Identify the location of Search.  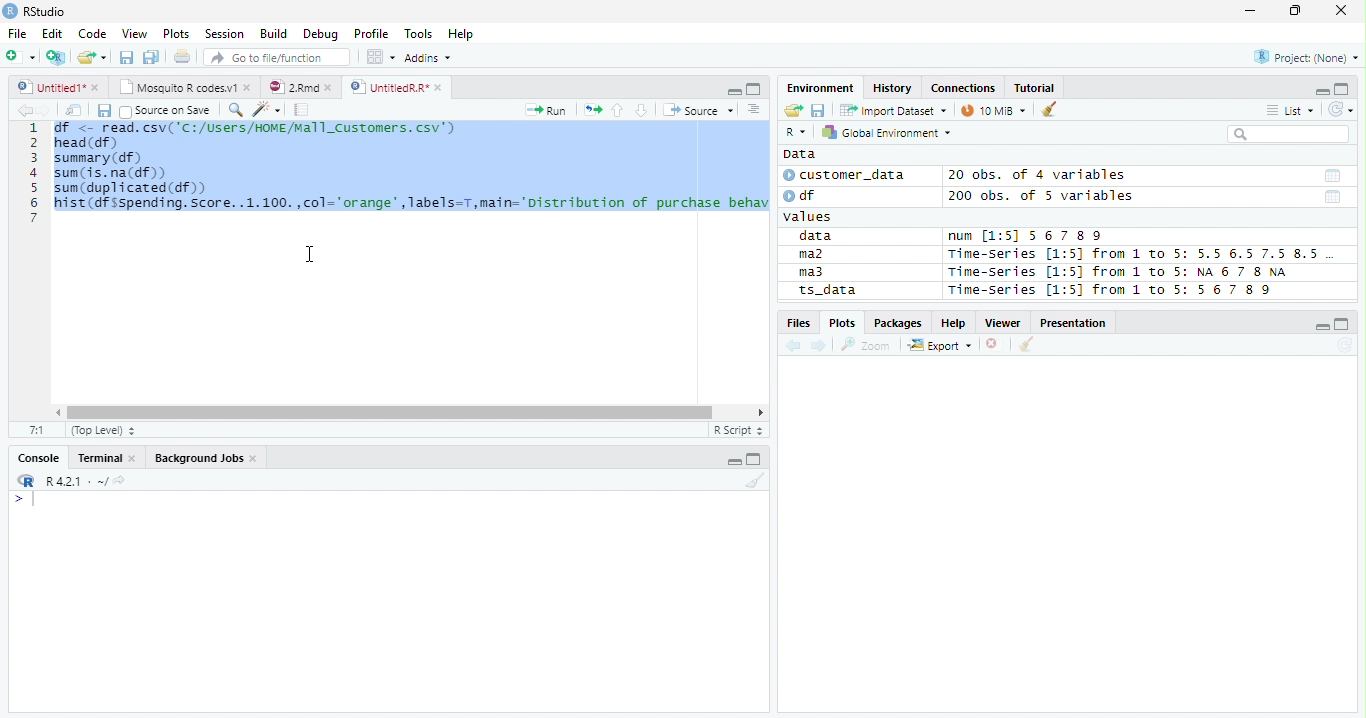
(1286, 134).